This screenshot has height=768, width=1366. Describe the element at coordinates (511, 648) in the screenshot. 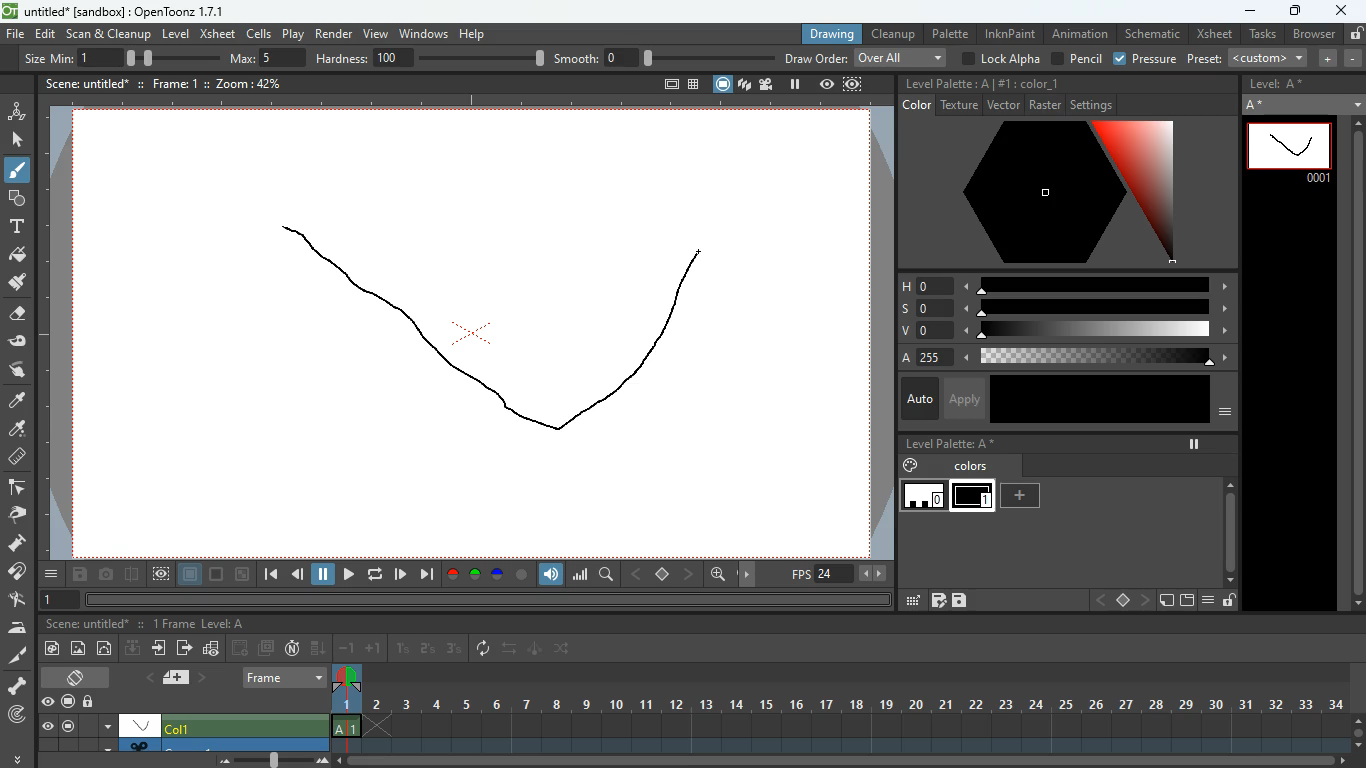

I see `swap` at that location.